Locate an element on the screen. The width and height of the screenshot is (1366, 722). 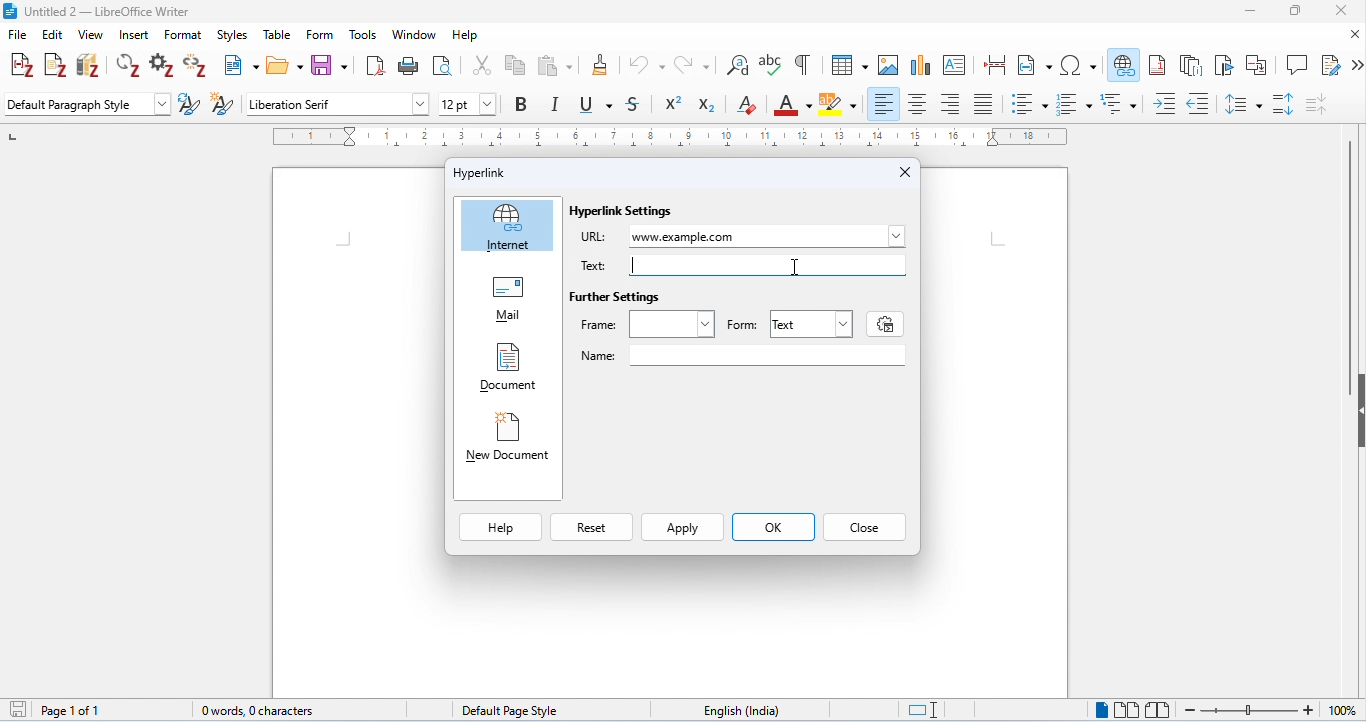
book view is located at coordinates (1159, 710).